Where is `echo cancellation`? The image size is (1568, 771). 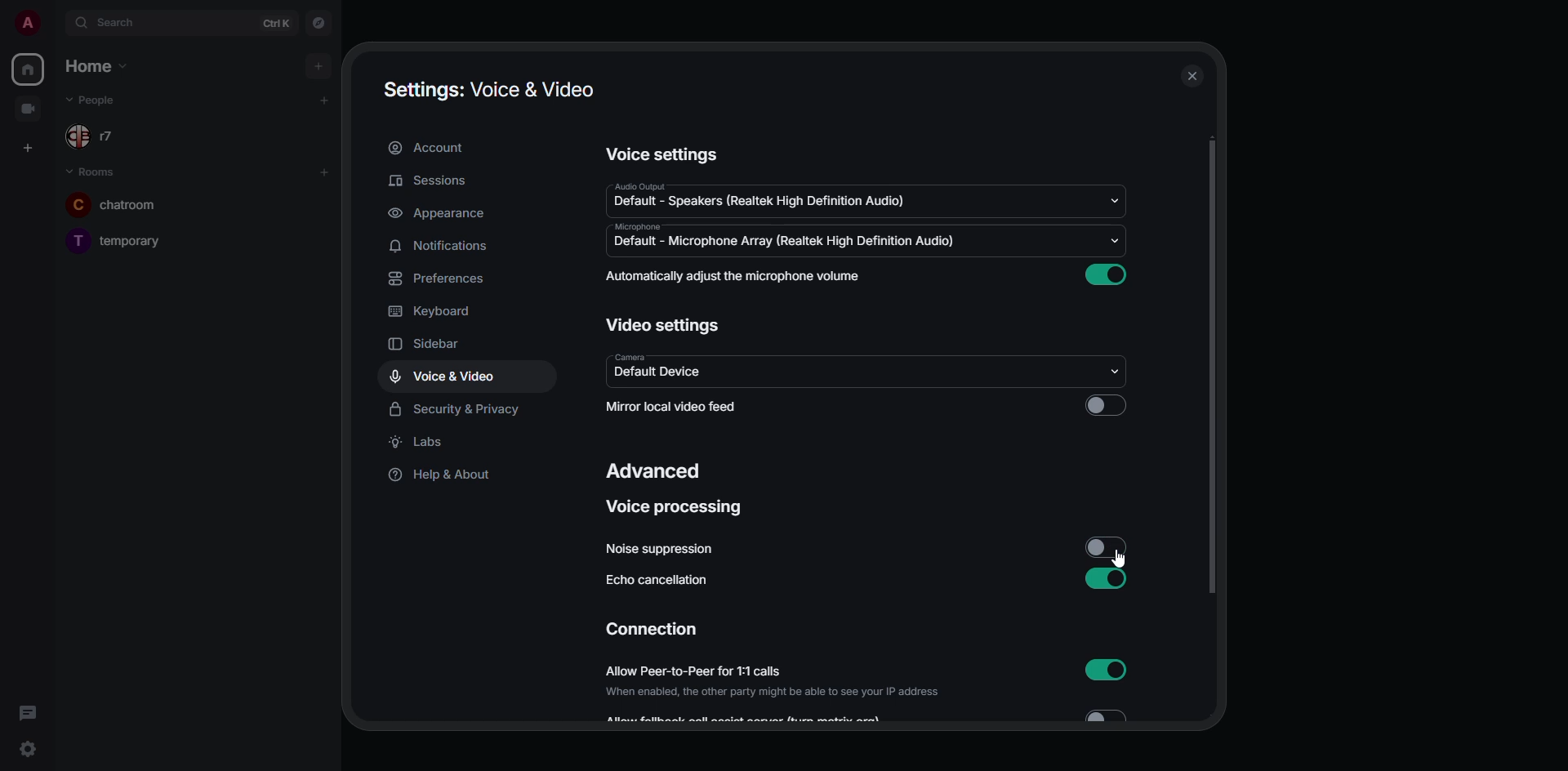
echo cancellation is located at coordinates (663, 582).